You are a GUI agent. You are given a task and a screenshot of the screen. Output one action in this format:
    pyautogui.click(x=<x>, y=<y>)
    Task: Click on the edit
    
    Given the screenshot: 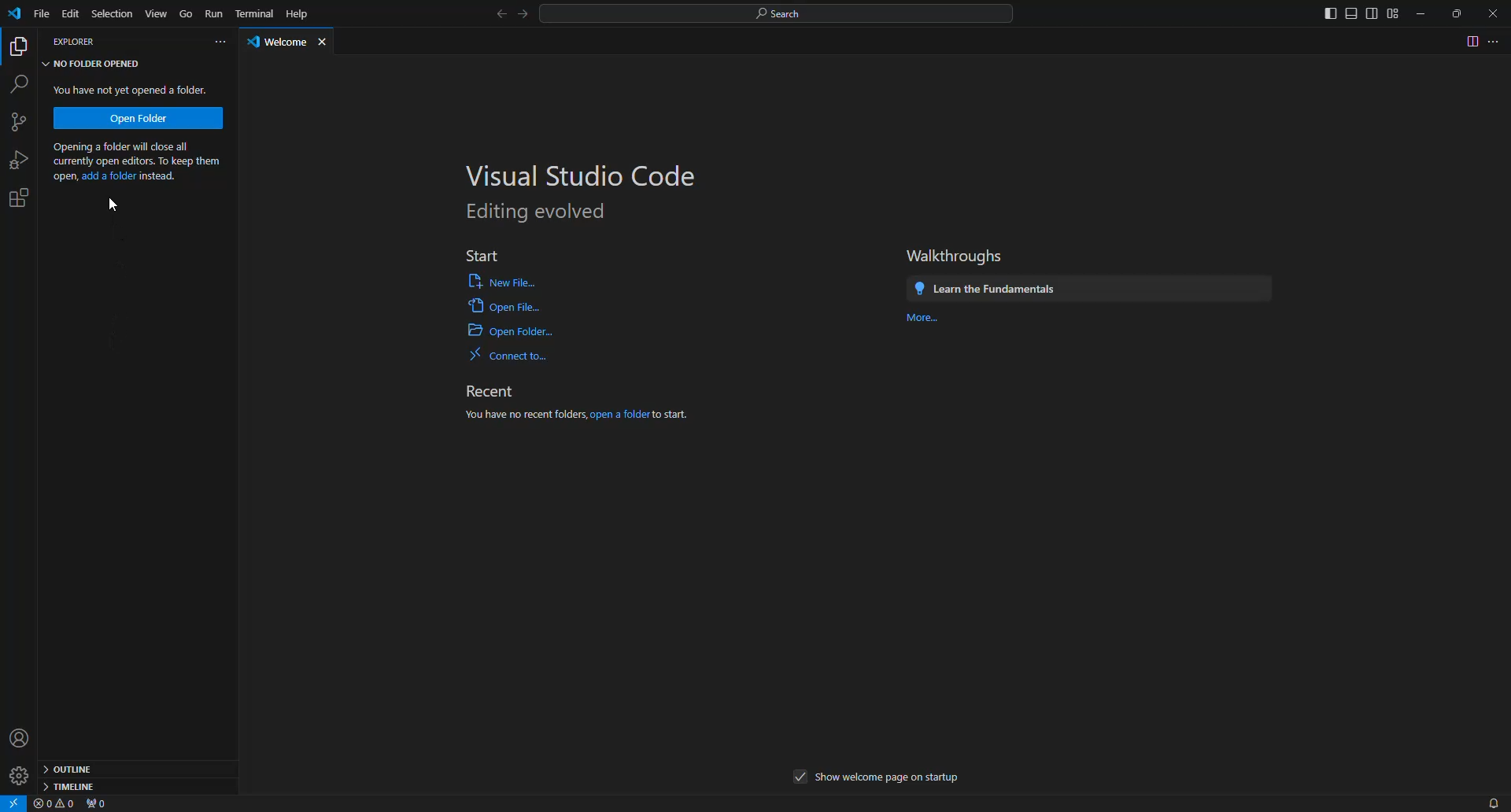 What is the action you would take?
    pyautogui.click(x=72, y=14)
    